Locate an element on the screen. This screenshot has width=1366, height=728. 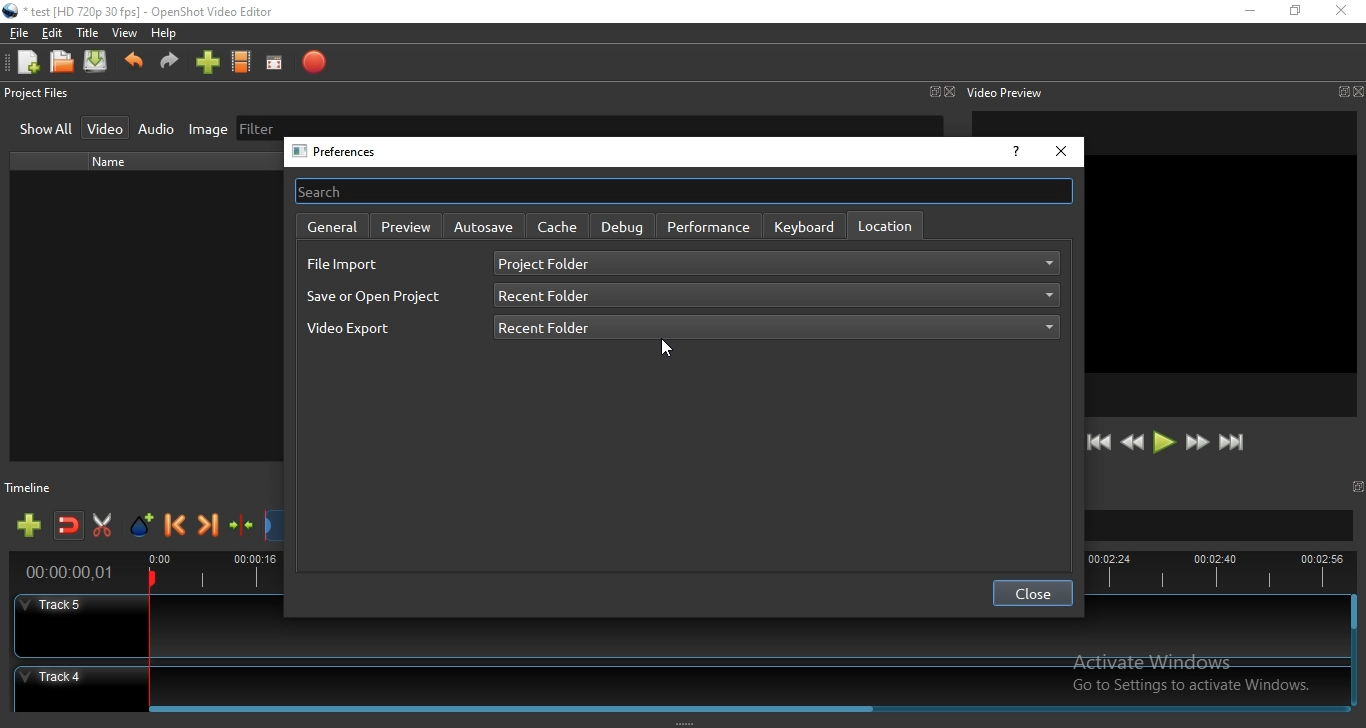
Redo is located at coordinates (170, 66).